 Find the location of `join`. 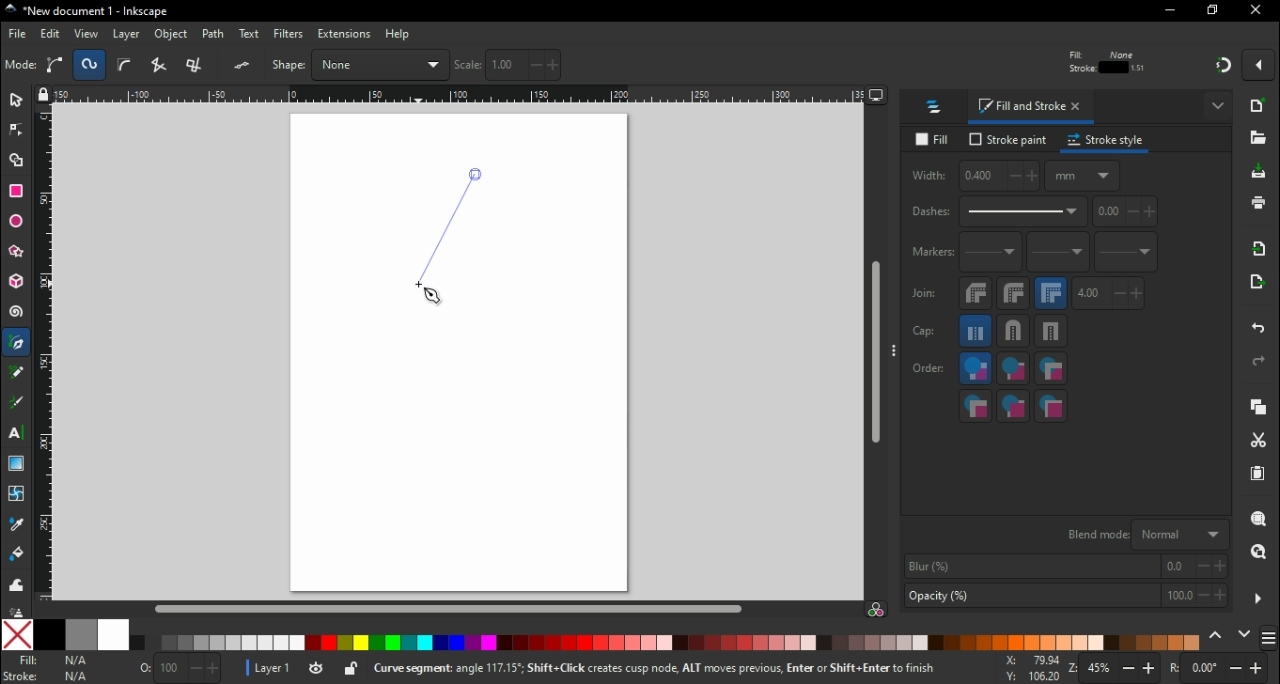

join is located at coordinates (925, 298).